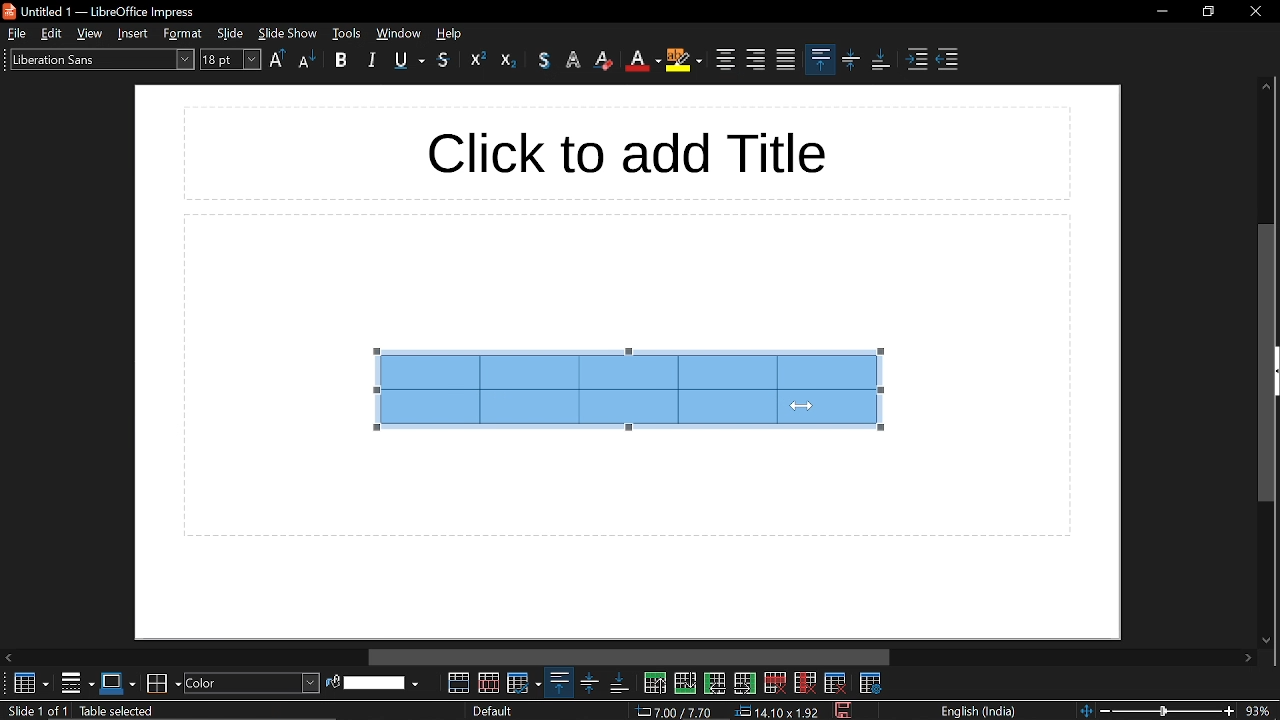 The image size is (1280, 720). Describe the element at coordinates (629, 657) in the screenshot. I see `horizontal scrollbar` at that location.